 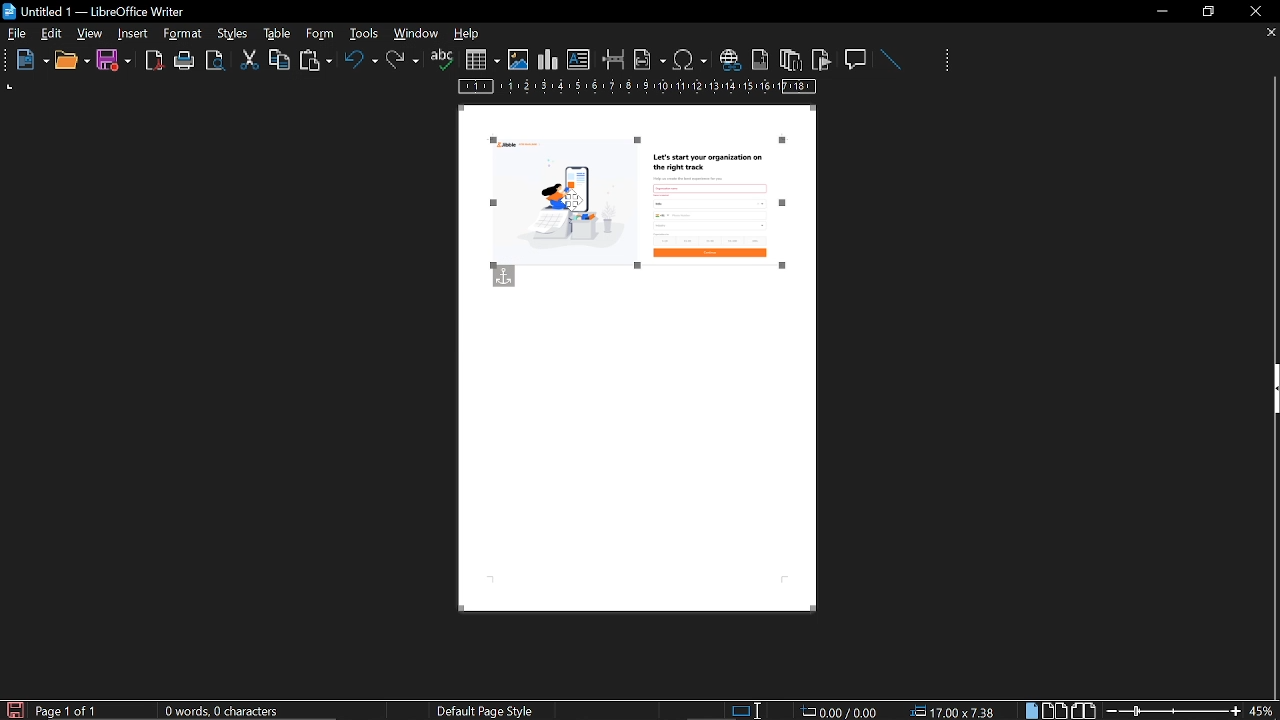 What do you see at coordinates (650, 59) in the screenshot?
I see `insert field` at bounding box center [650, 59].